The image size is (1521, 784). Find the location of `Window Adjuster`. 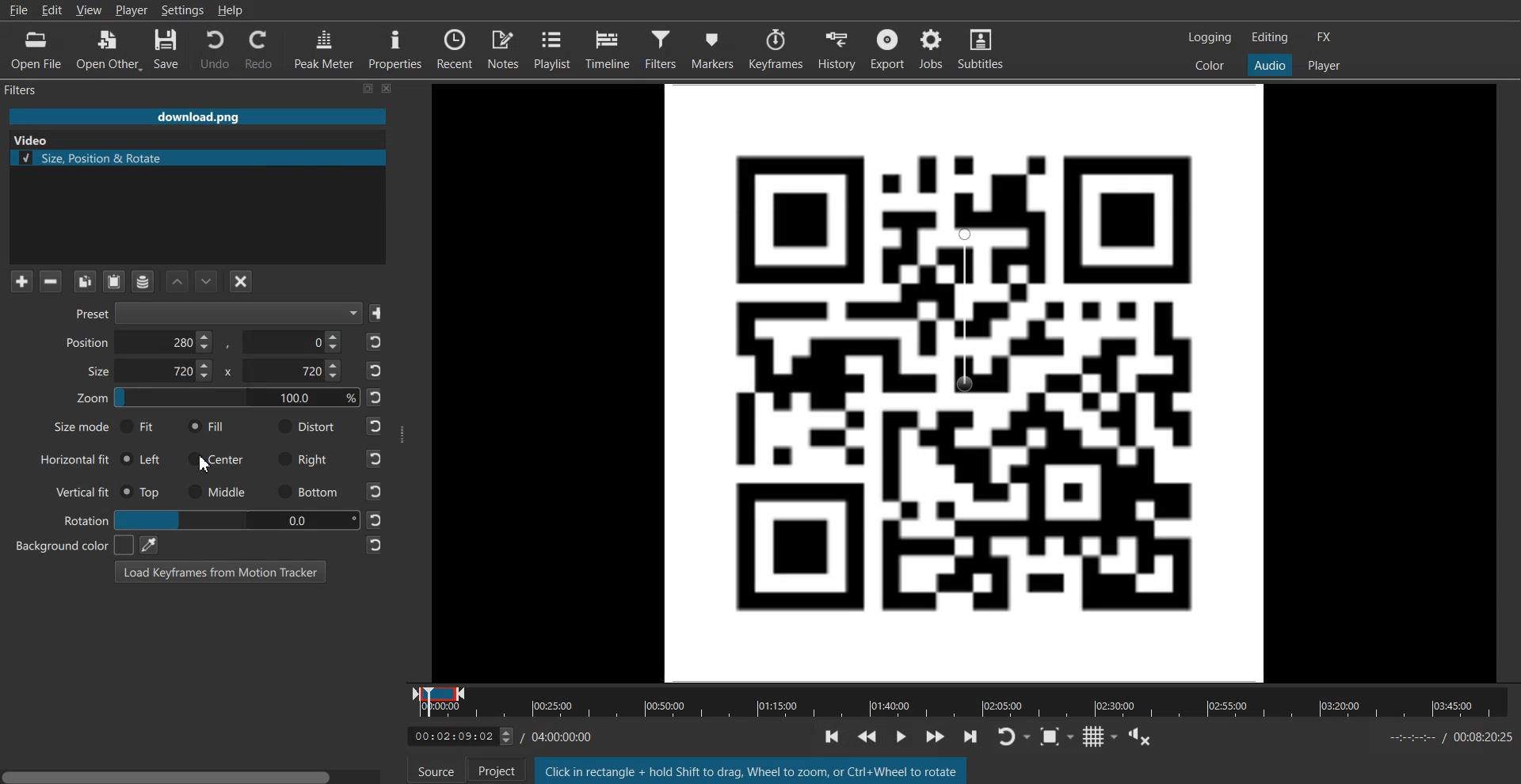

Window Adjuster is located at coordinates (402, 433).